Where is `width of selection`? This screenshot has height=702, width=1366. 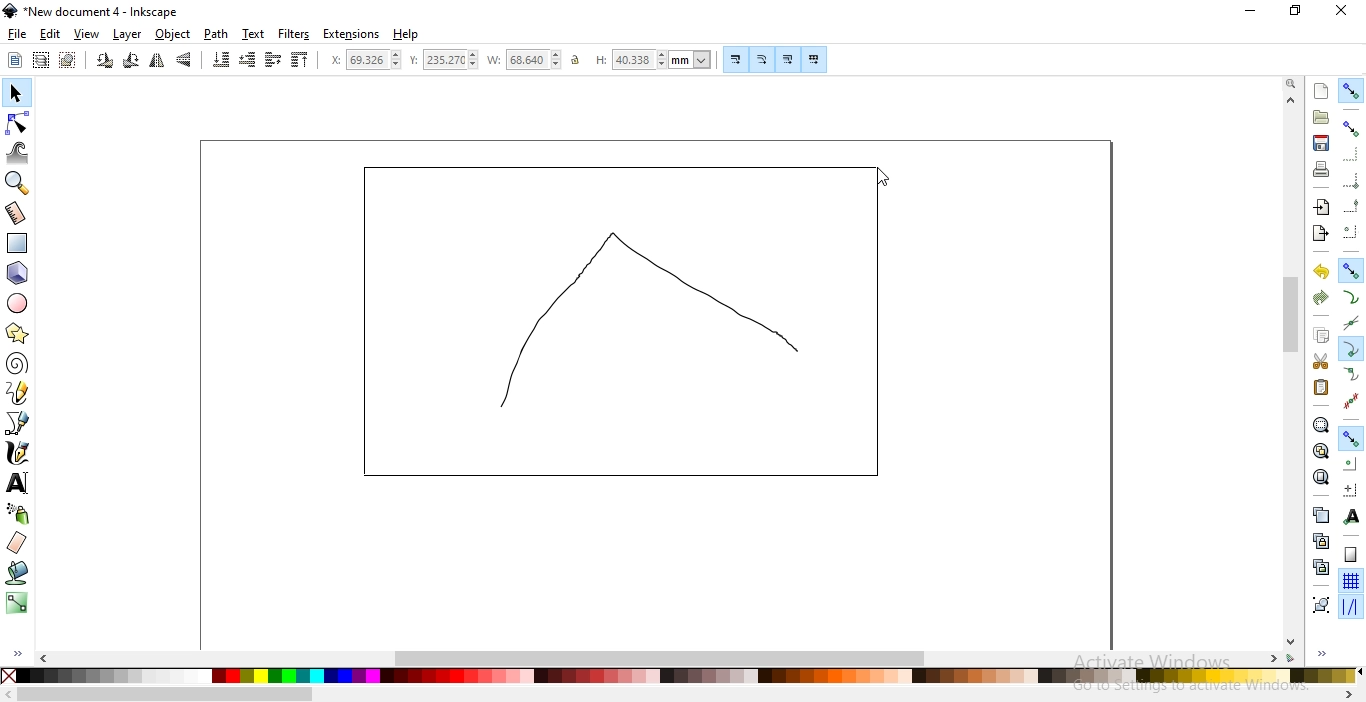
width of selection is located at coordinates (524, 60).